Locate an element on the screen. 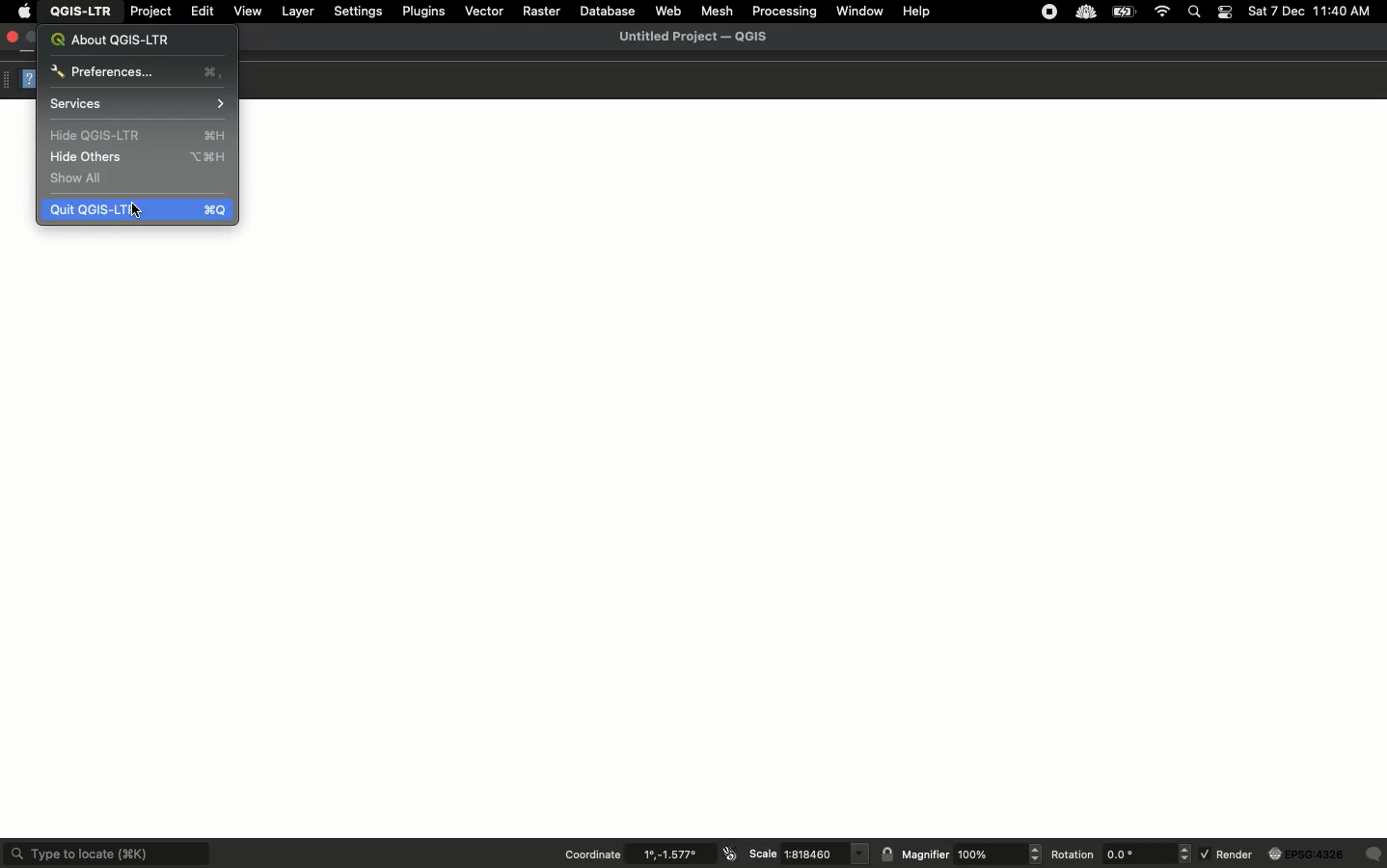  comment is located at coordinates (1373, 854).